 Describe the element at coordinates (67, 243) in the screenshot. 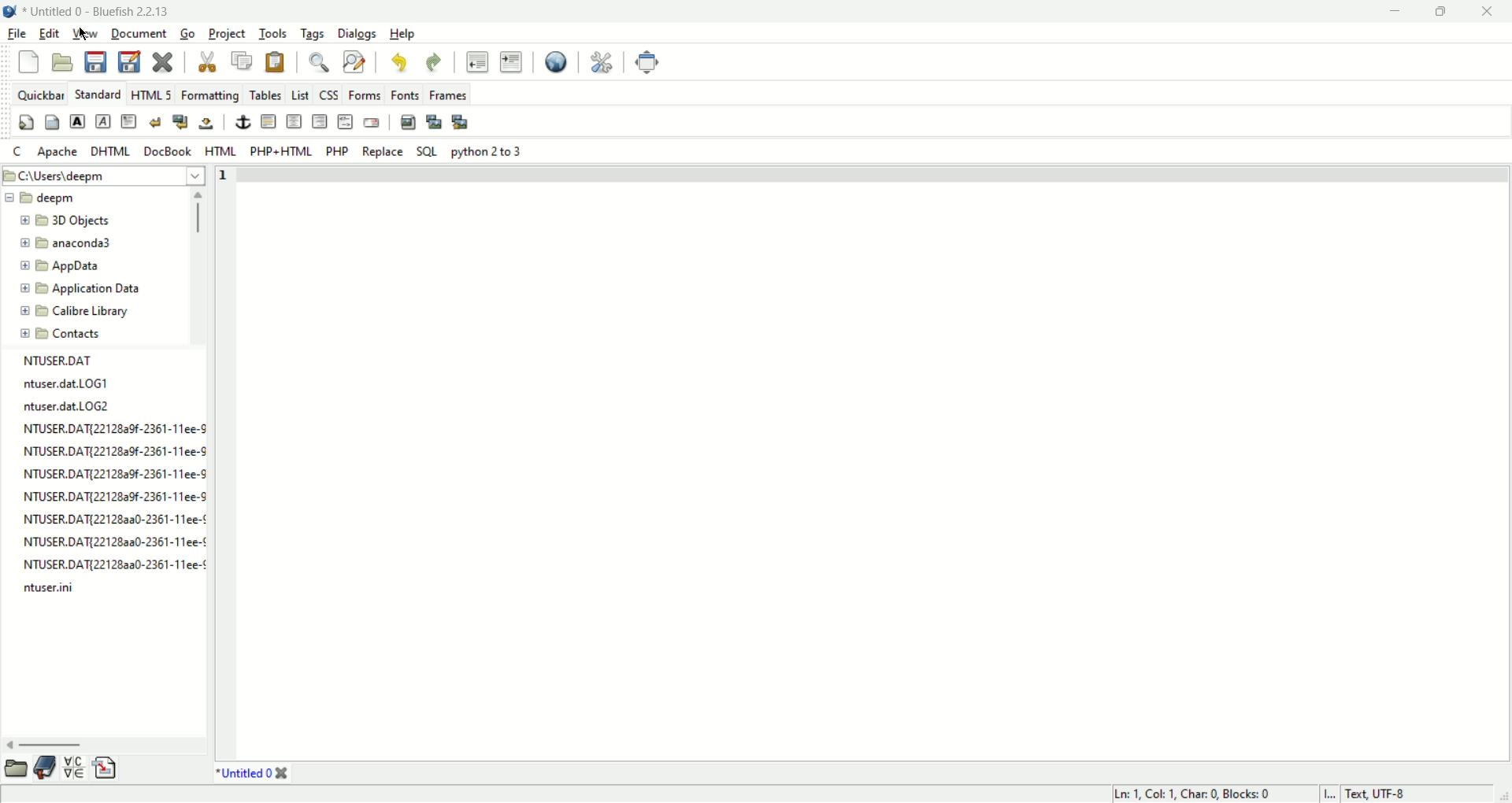

I see `anaconda` at that location.